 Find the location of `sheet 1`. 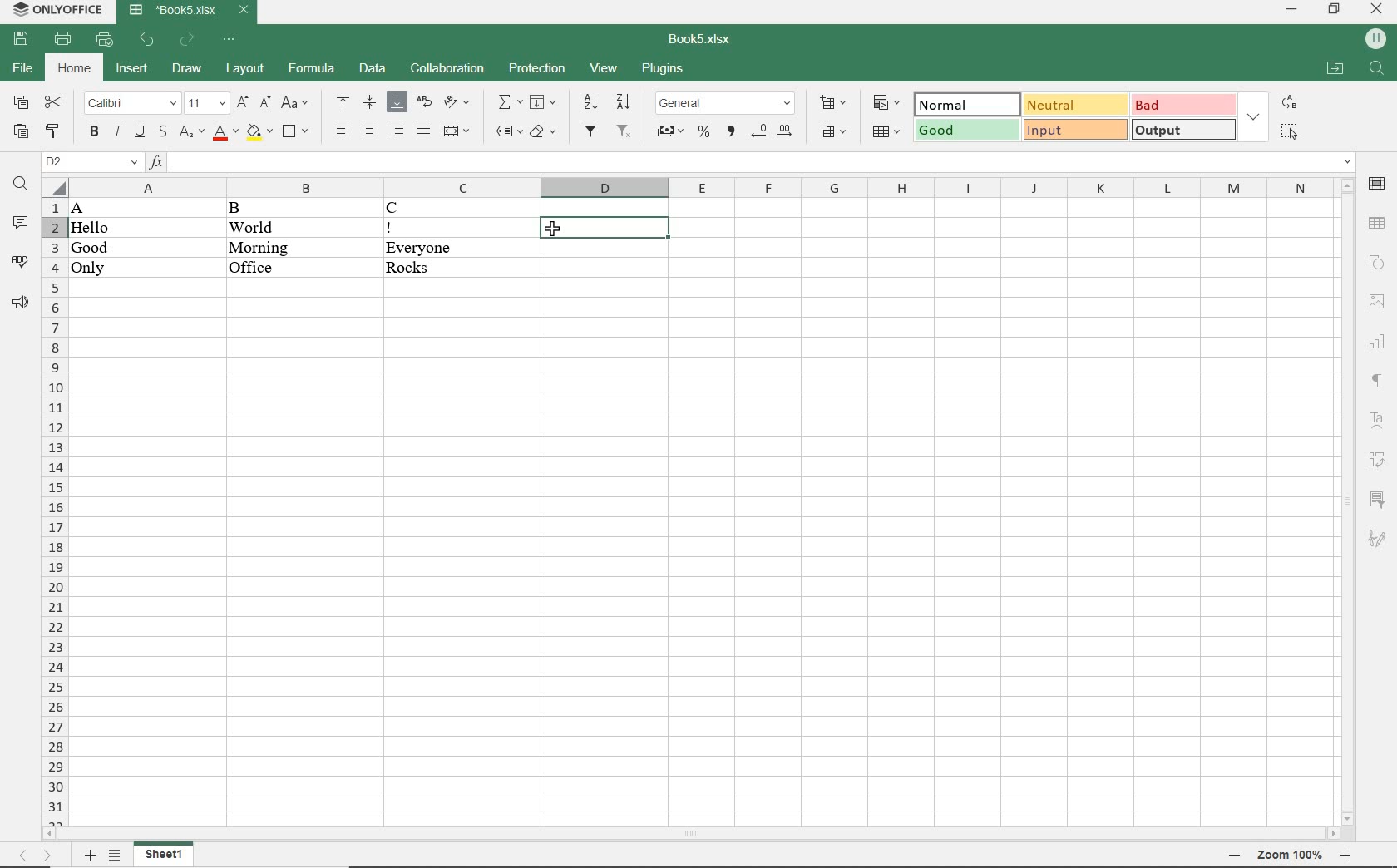

sheet 1 is located at coordinates (166, 856).